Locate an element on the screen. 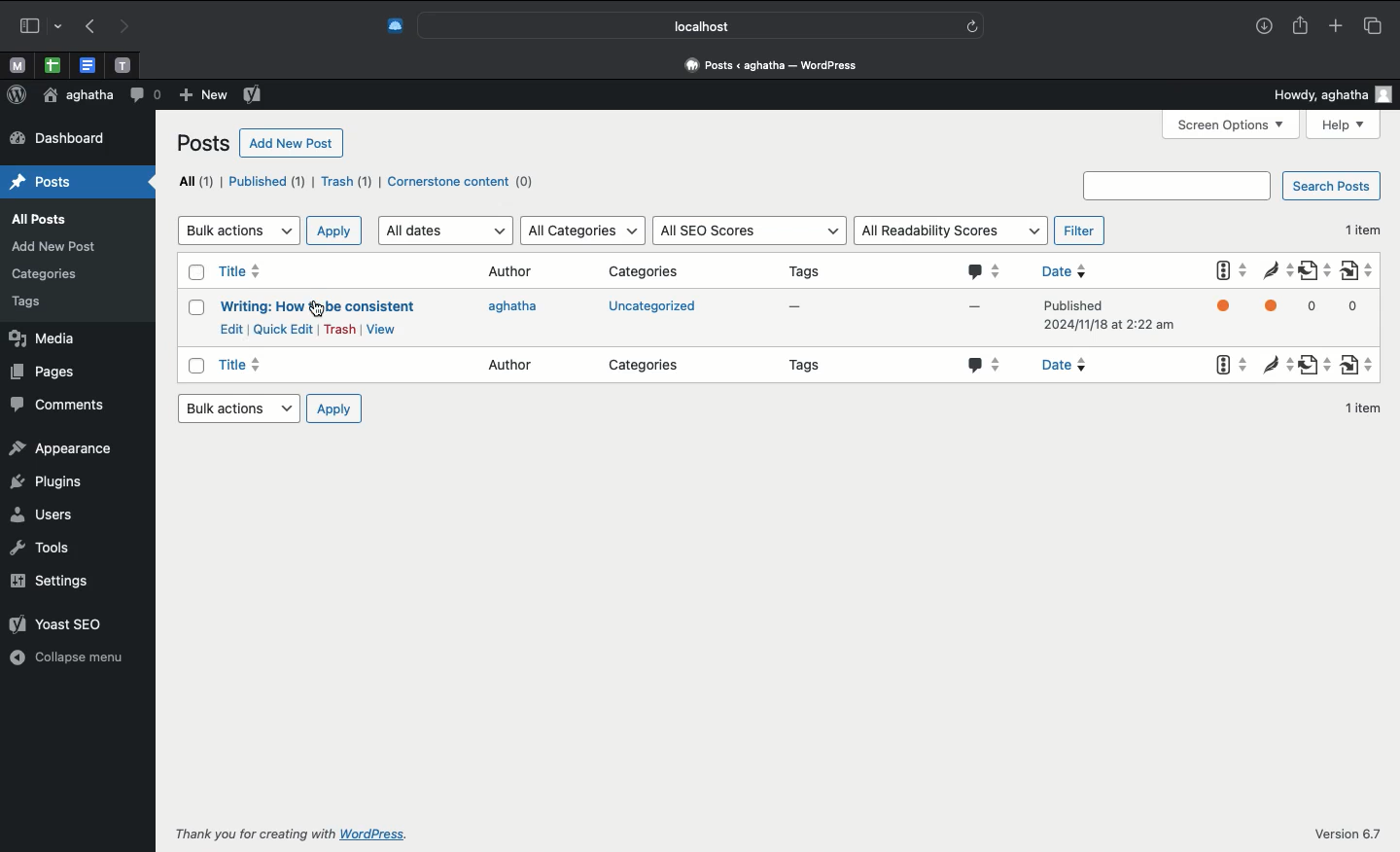 The image size is (1400, 852). All dates is located at coordinates (445, 231).